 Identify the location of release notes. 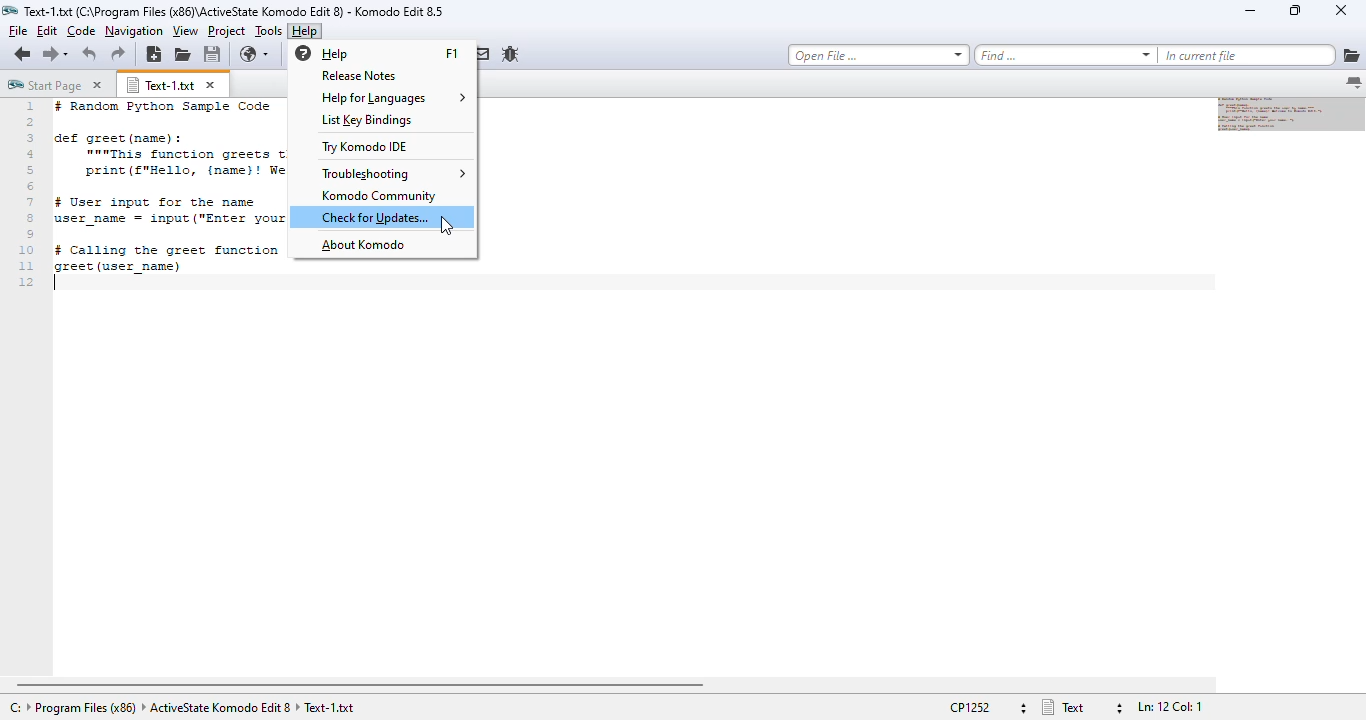
(359, 76).